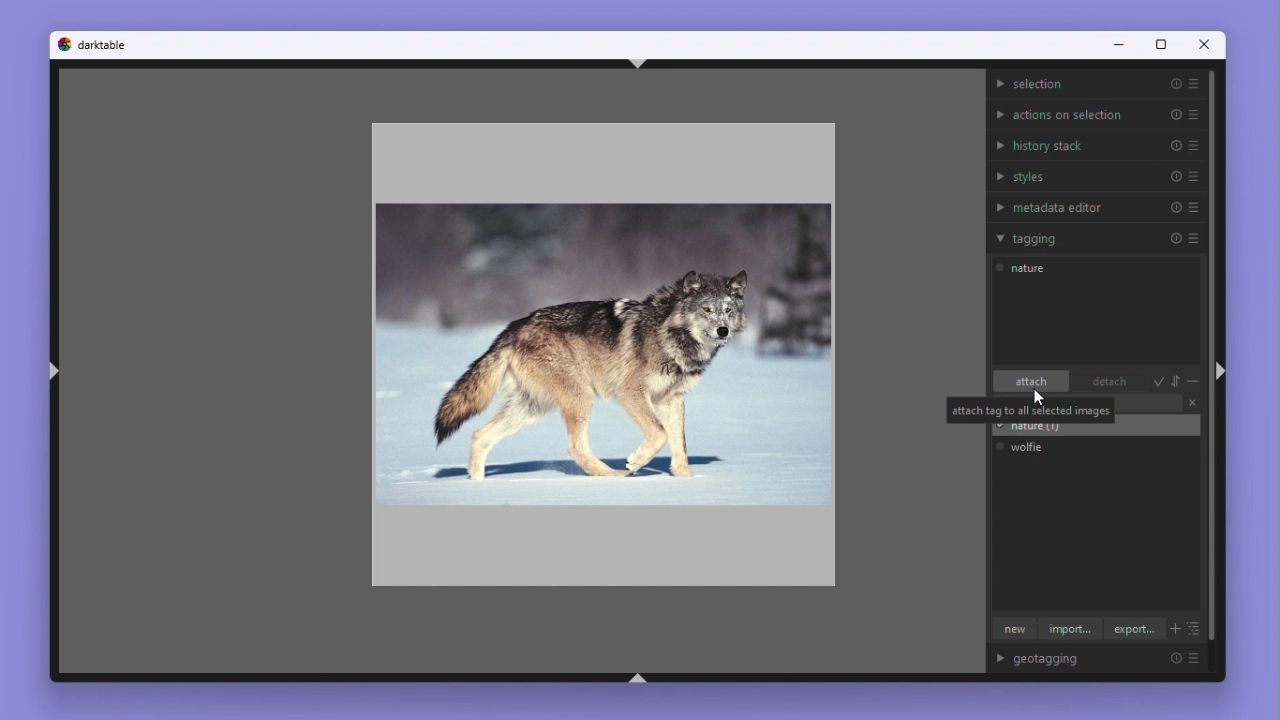  Describe the element at coordinates (1027, 271) in the screenshot. I see `Nature tag` at that location.